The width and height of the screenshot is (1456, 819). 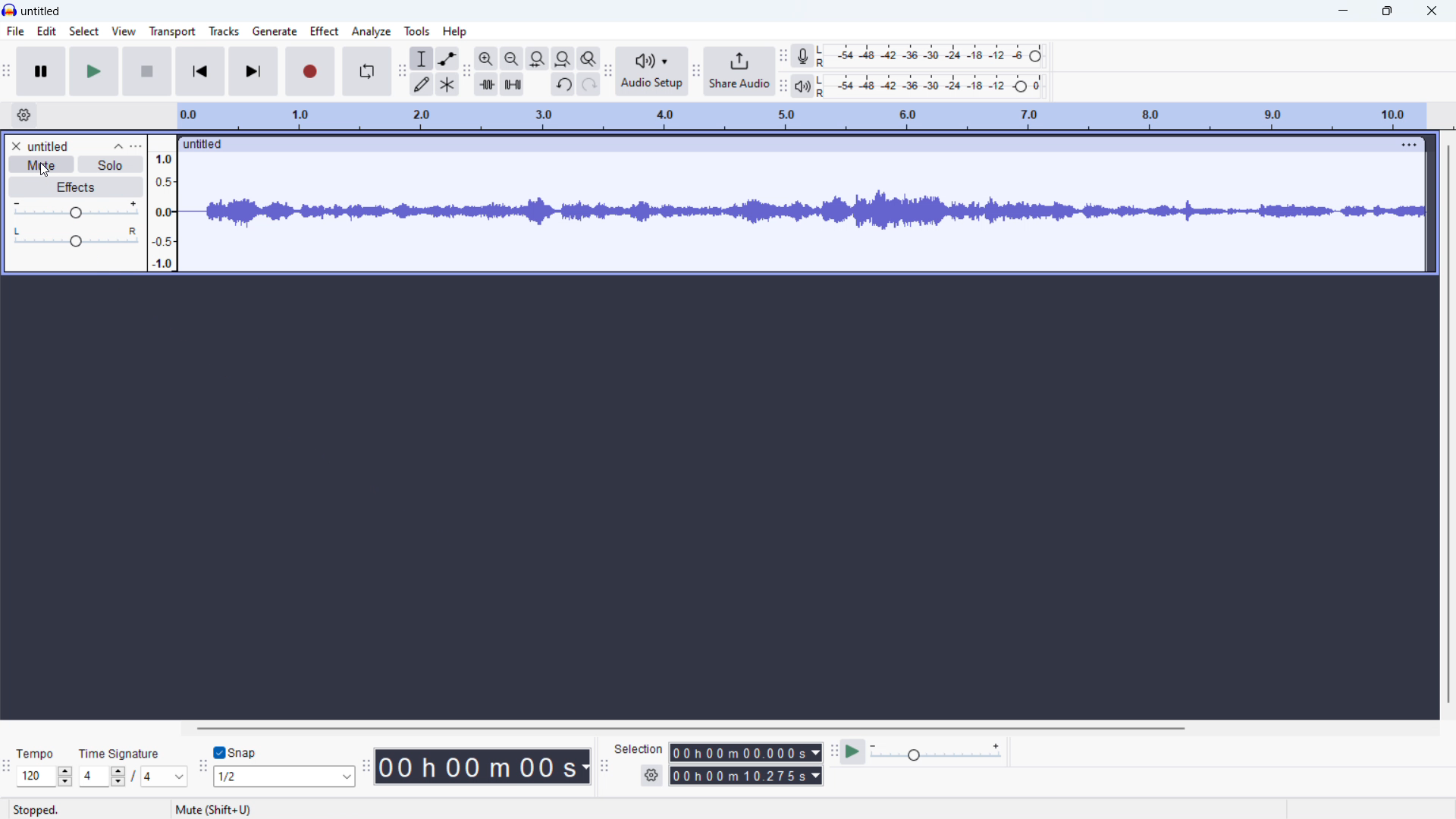 What do you see at coordinates (930, 56) in the screenshot?
I see `recording level` at bounding box center [930, 56].